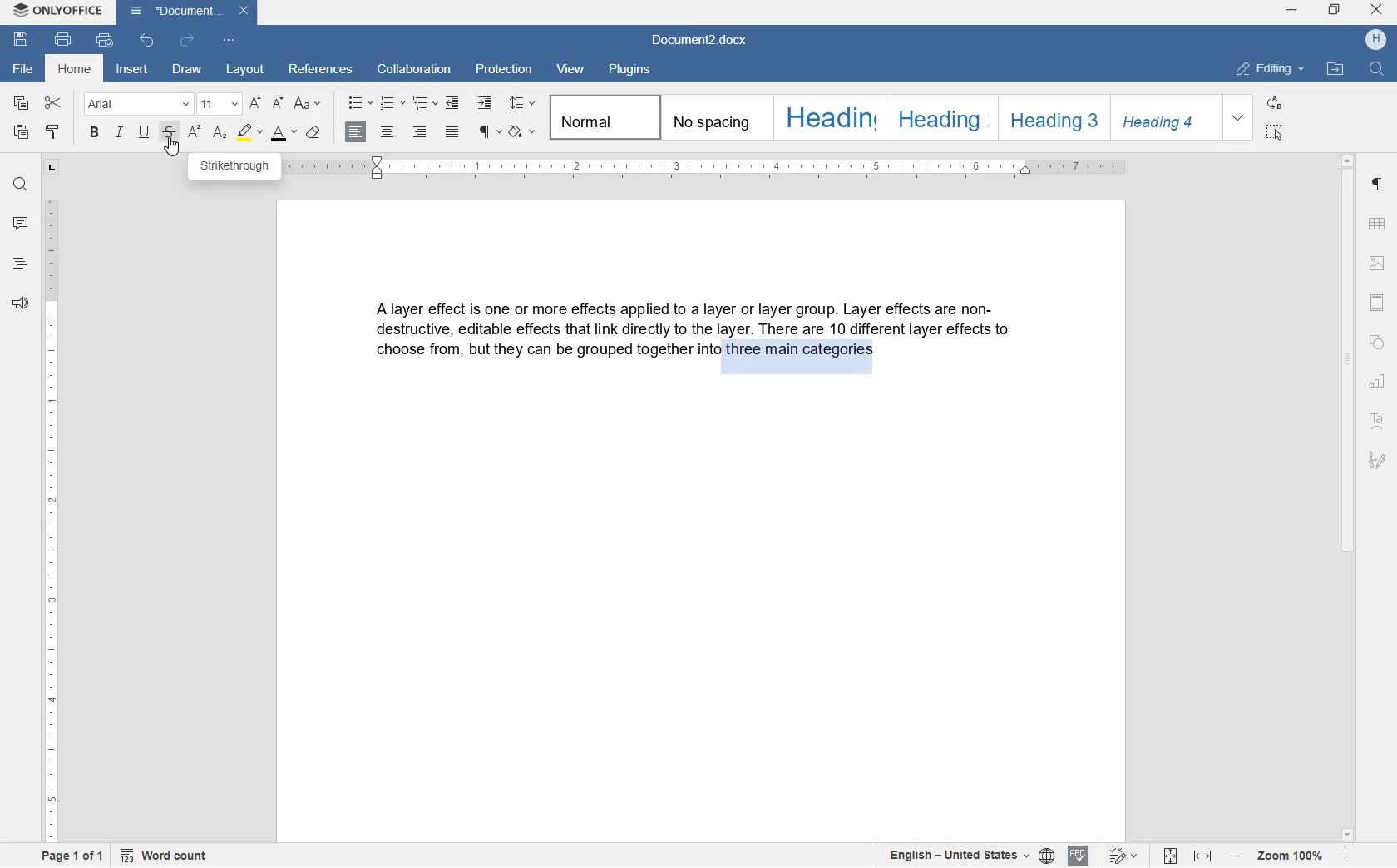  I want to click on print, so click(65, 41).